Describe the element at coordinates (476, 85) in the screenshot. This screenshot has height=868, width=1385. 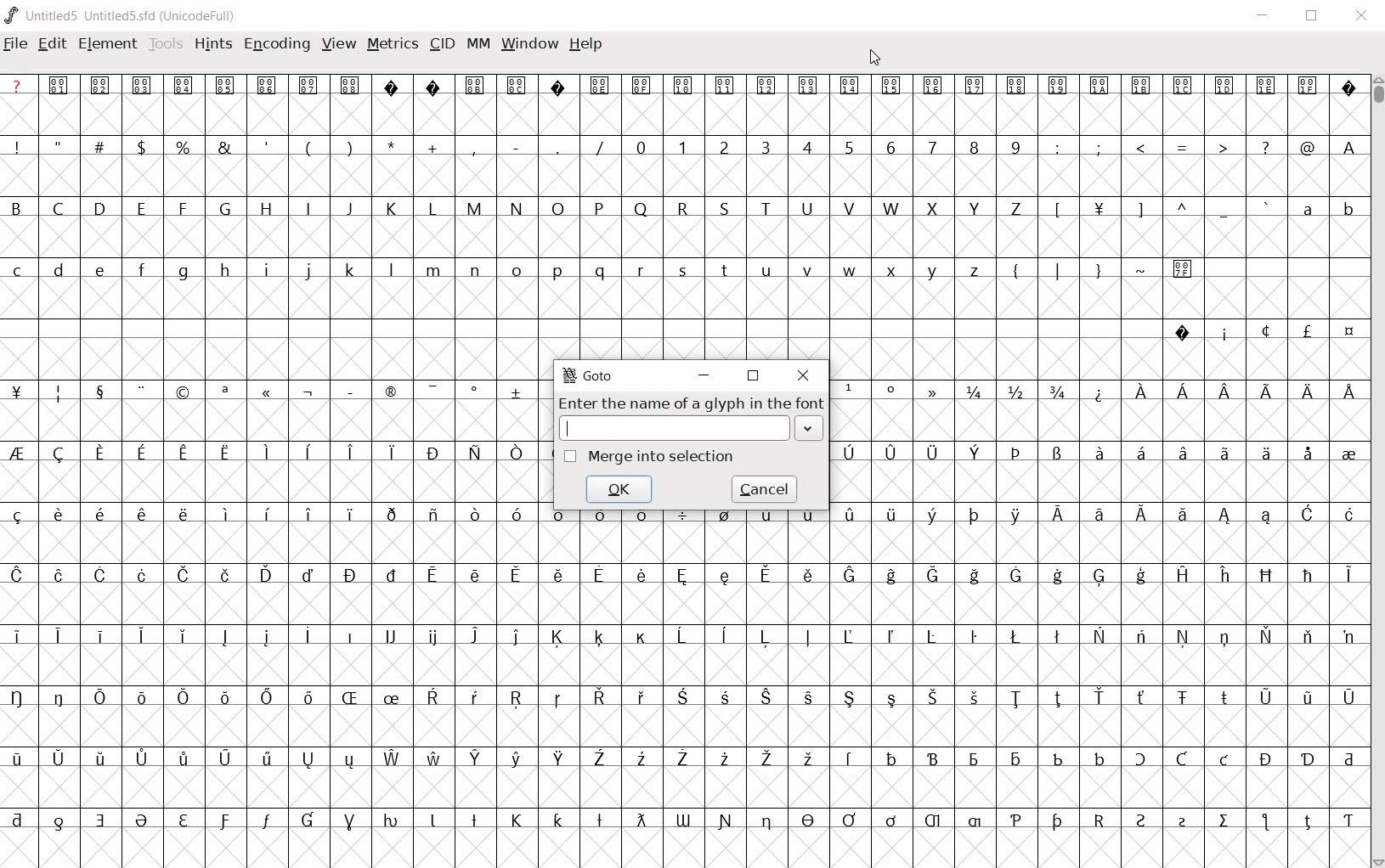
I see `Symbol` at that location.